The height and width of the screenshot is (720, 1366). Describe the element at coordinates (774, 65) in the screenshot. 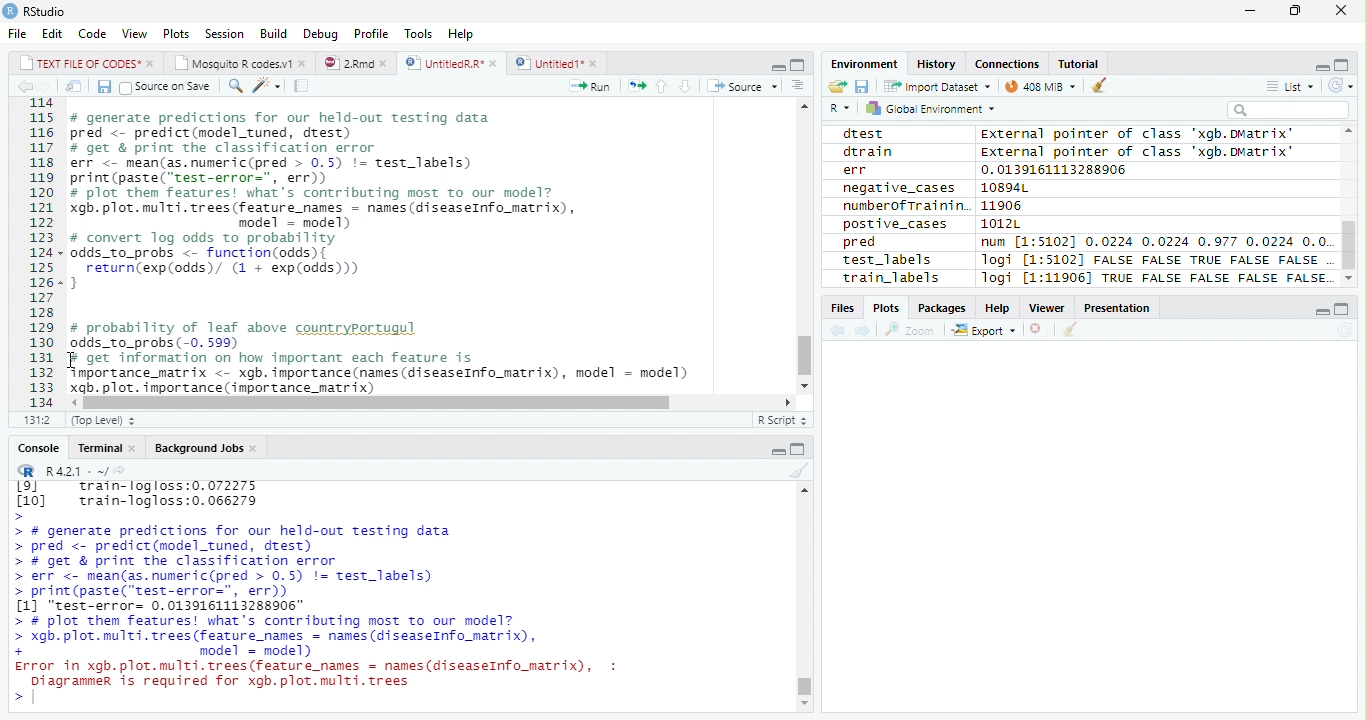

I see `Minimize` at that location.